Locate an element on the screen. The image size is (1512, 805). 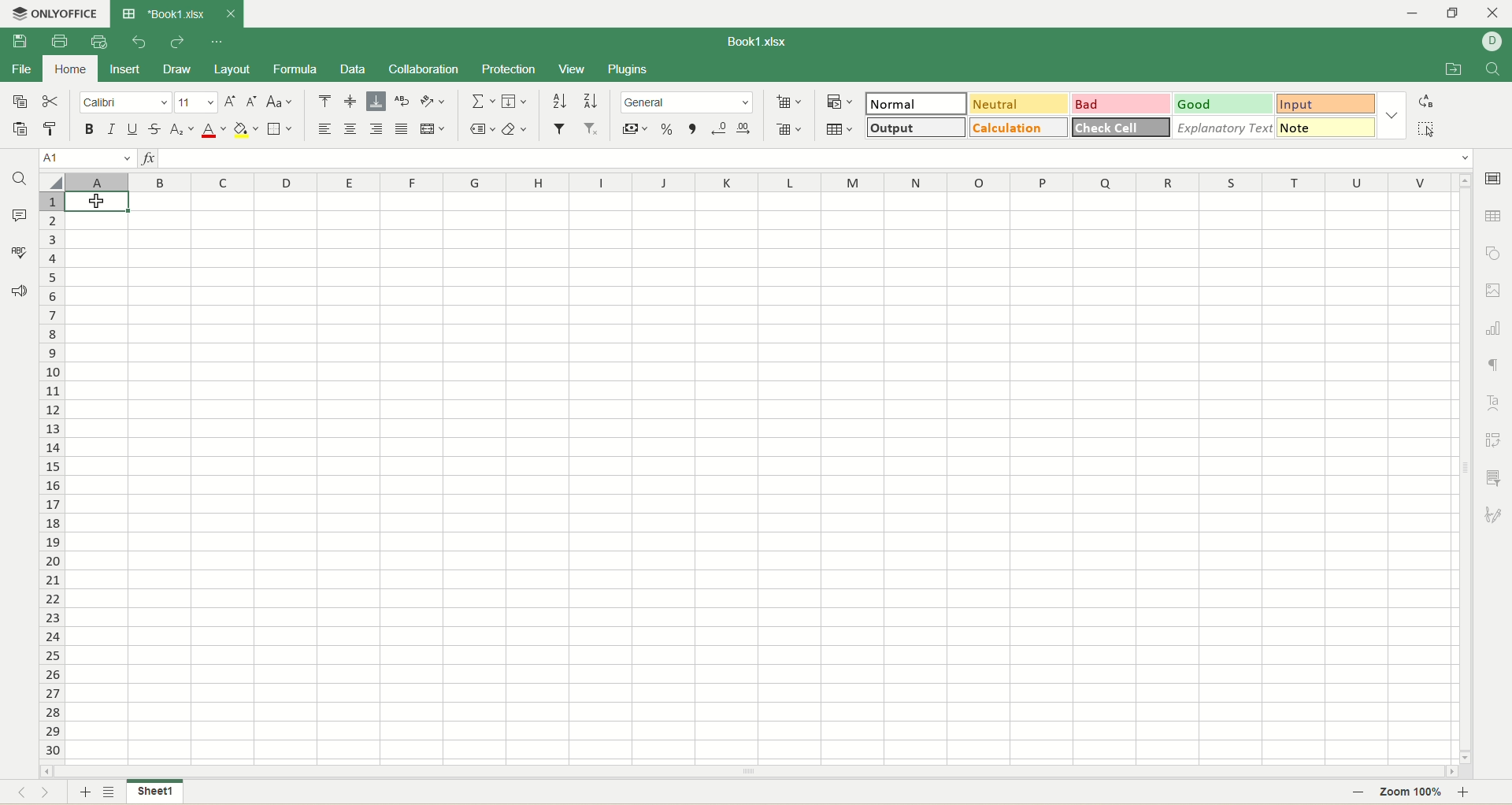
input is located at coordinates (1326, 105).